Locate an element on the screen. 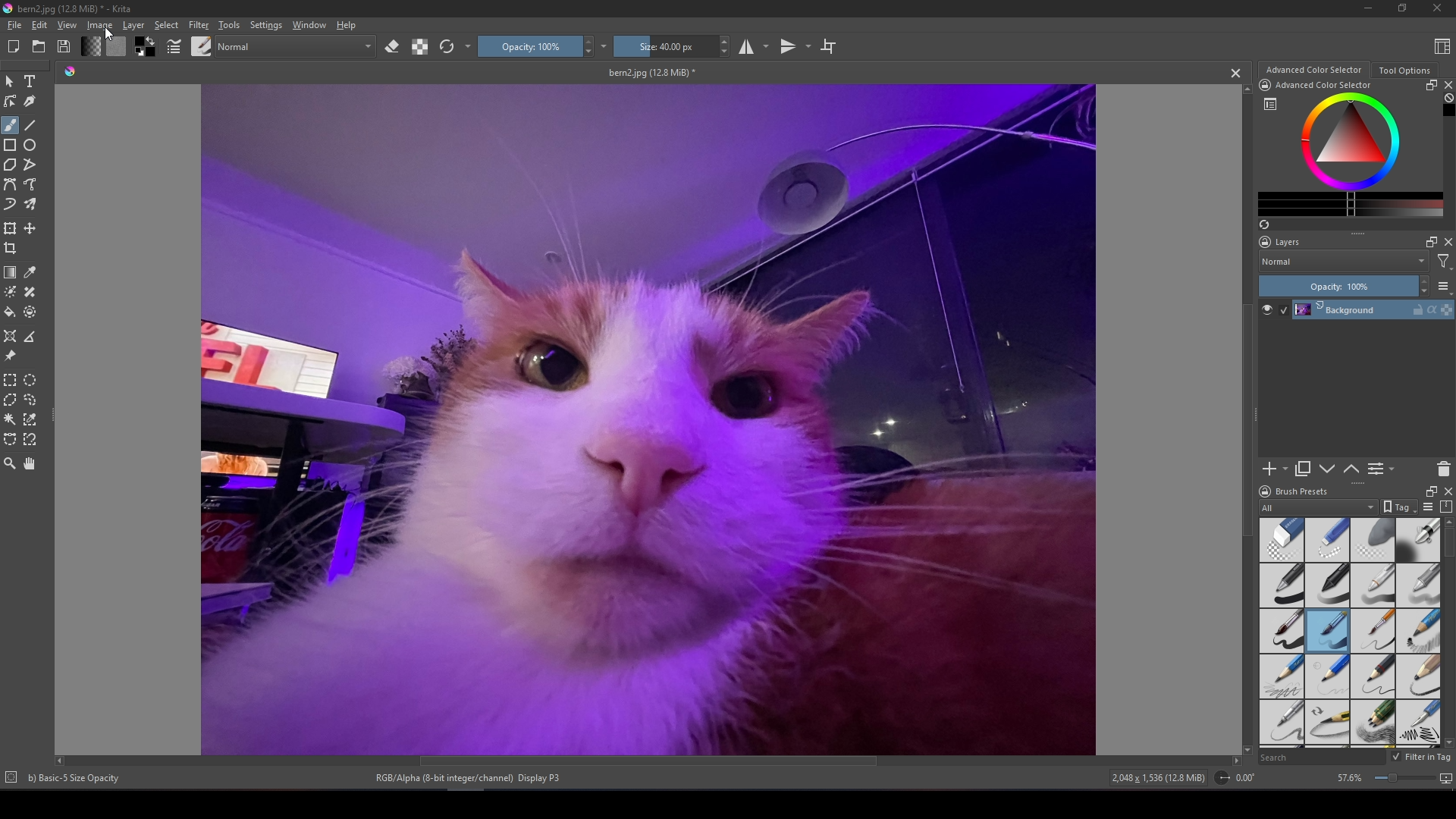 This screenshot has width=1456, height=819. Display settings is located at coordinates (1431, 507).